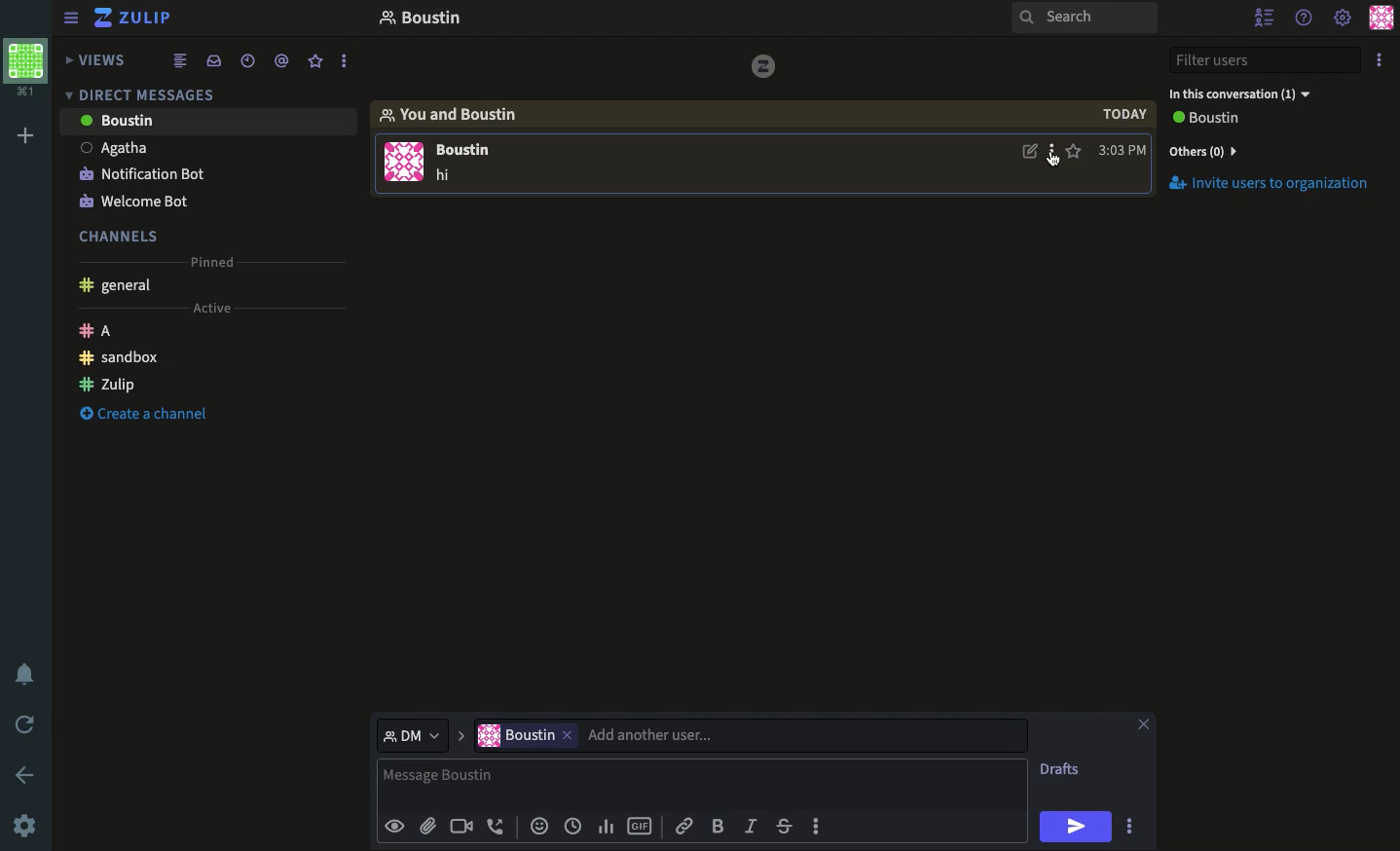  What do you see at coordinates (763, 65) in the screenshot?
I see `vice versa` at bounding box center [763, 65].